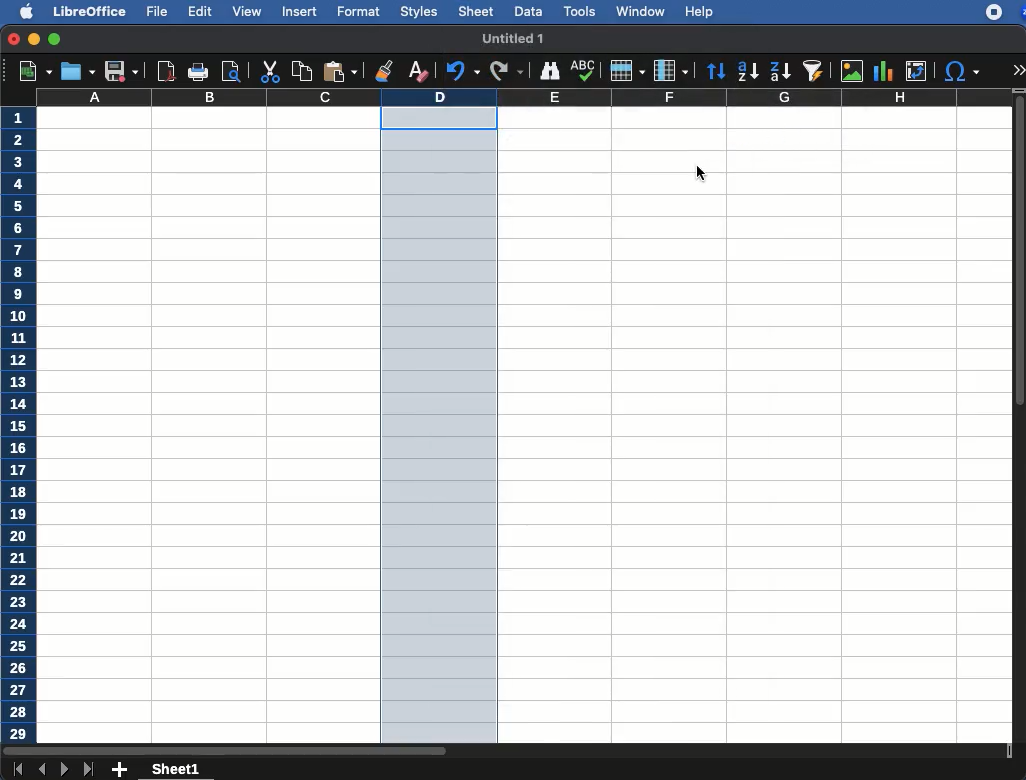 This screenshot has height=780, width=1026. I want to click on data, so click(528, 10).